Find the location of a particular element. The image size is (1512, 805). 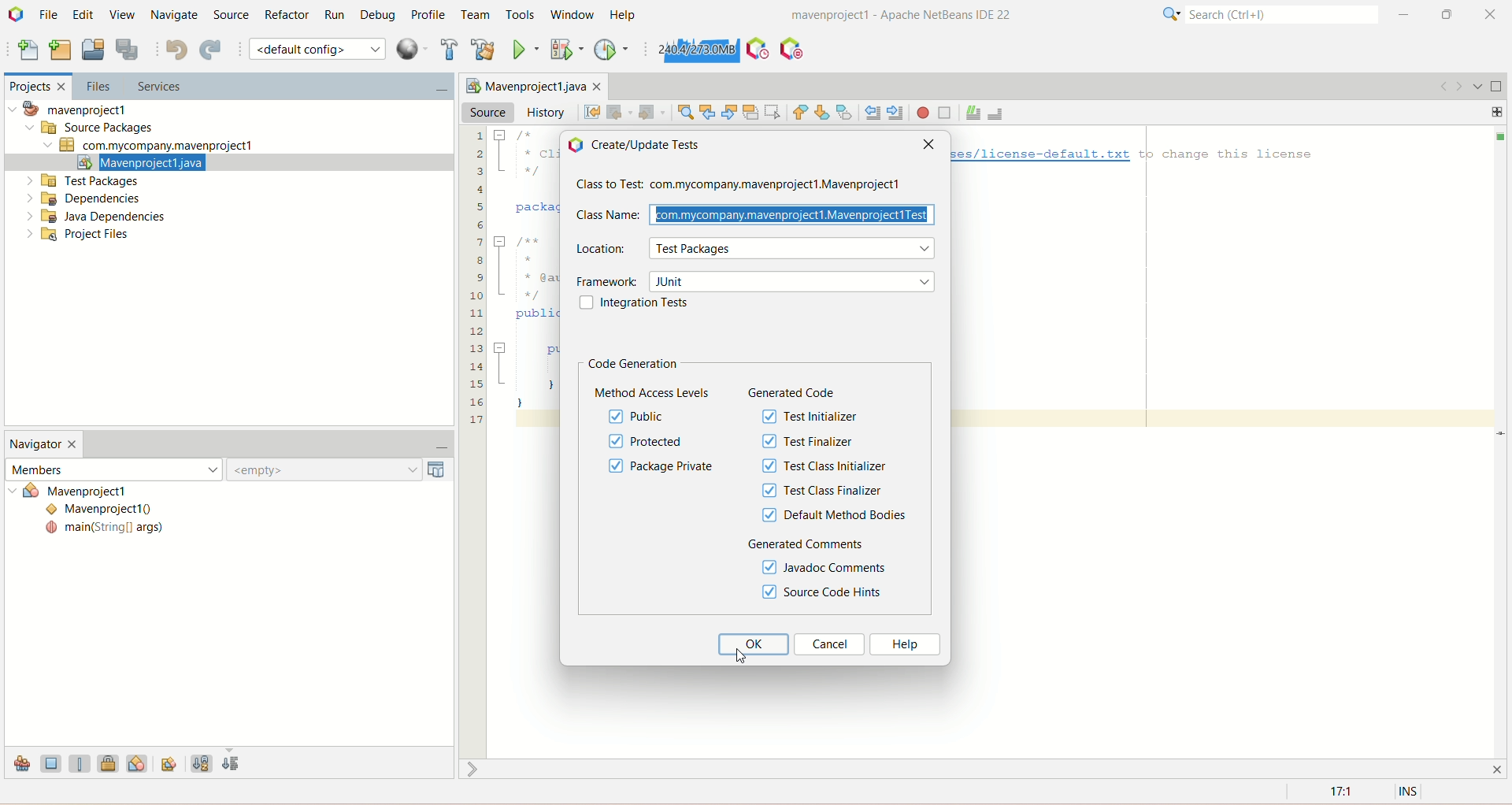

debug project is located at coordinates (564, 49).